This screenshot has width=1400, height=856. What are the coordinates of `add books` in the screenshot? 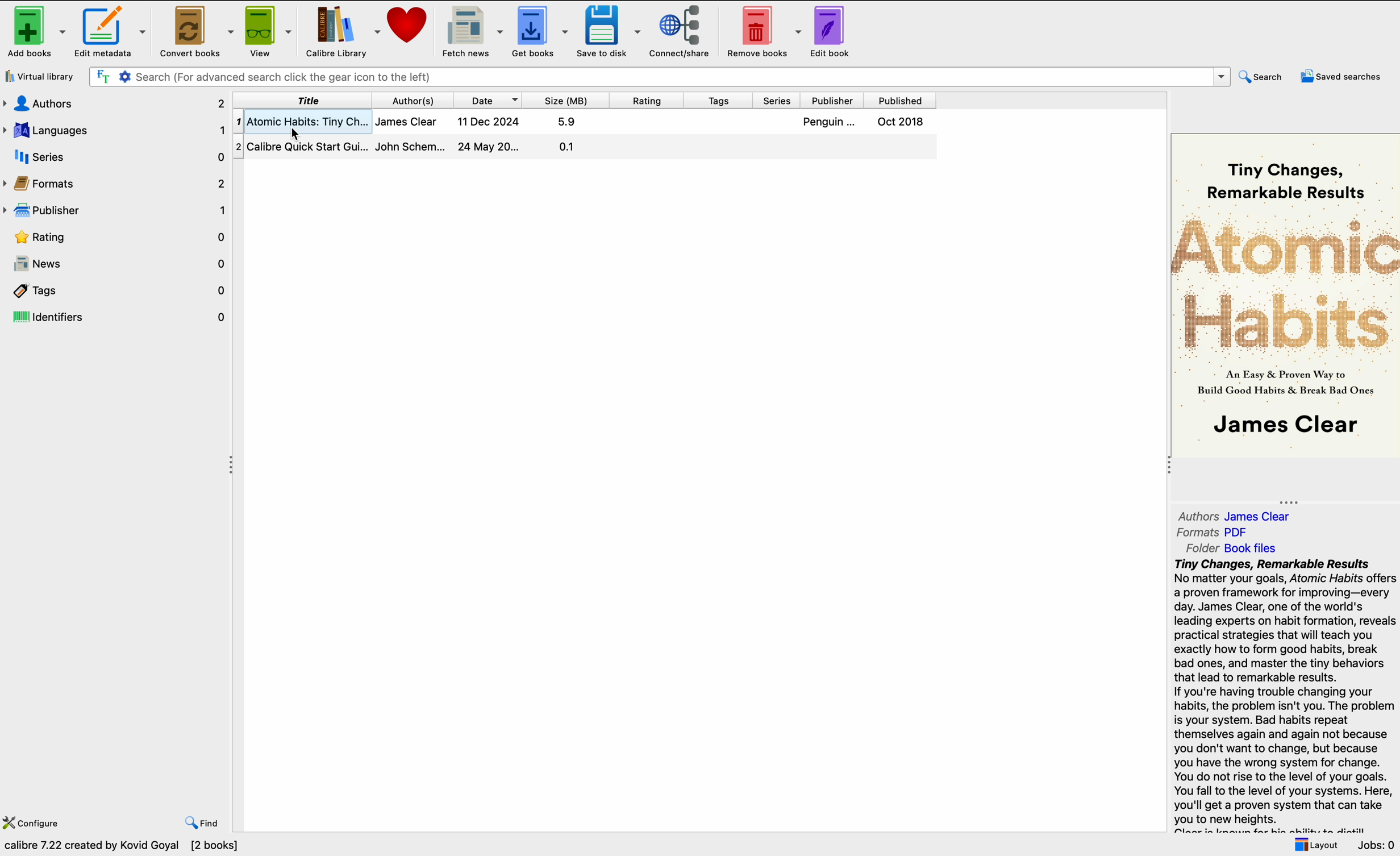 It's located at (35, 31).